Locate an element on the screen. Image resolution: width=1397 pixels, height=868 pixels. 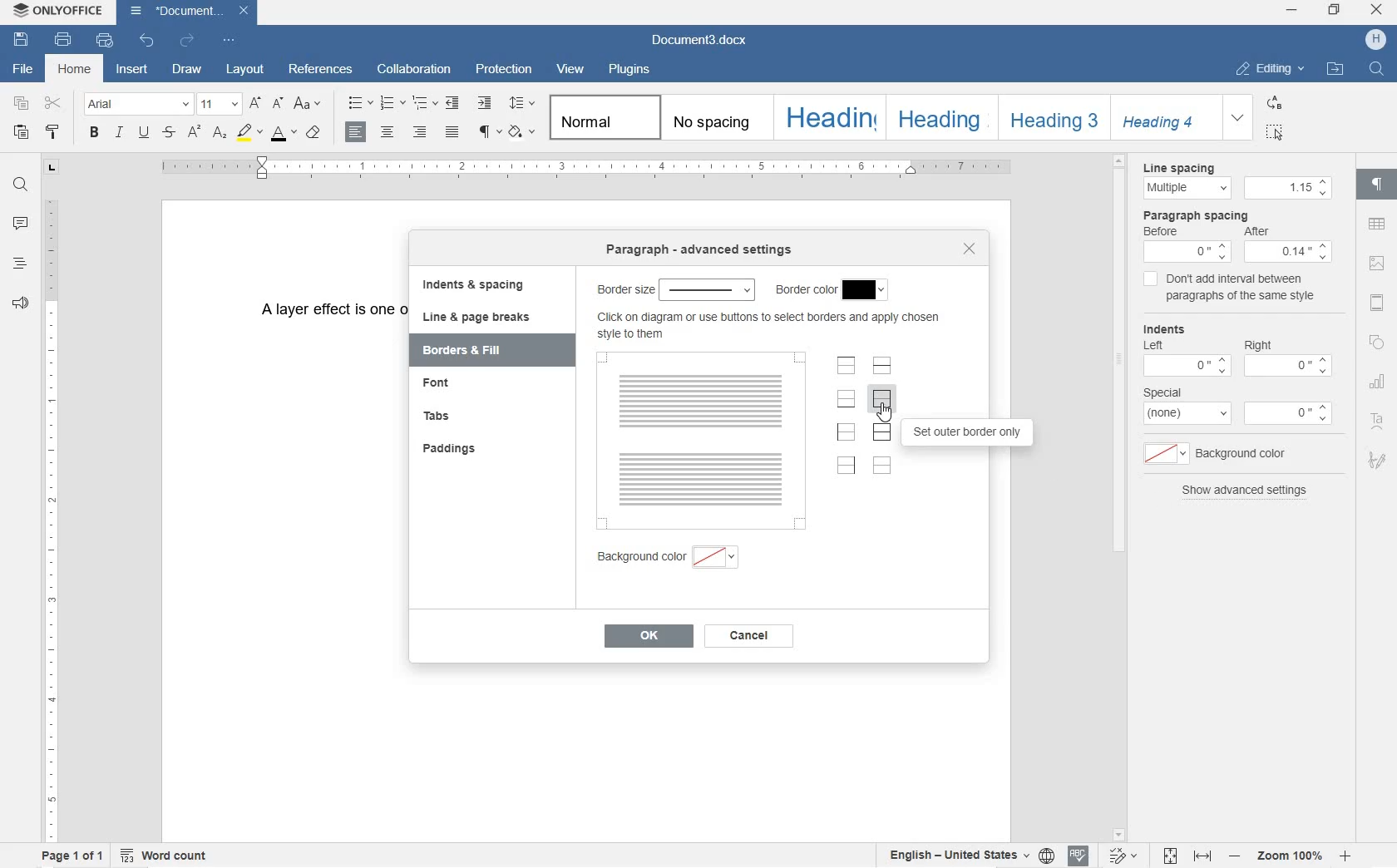
tabs is located at coordinates (462, 419).